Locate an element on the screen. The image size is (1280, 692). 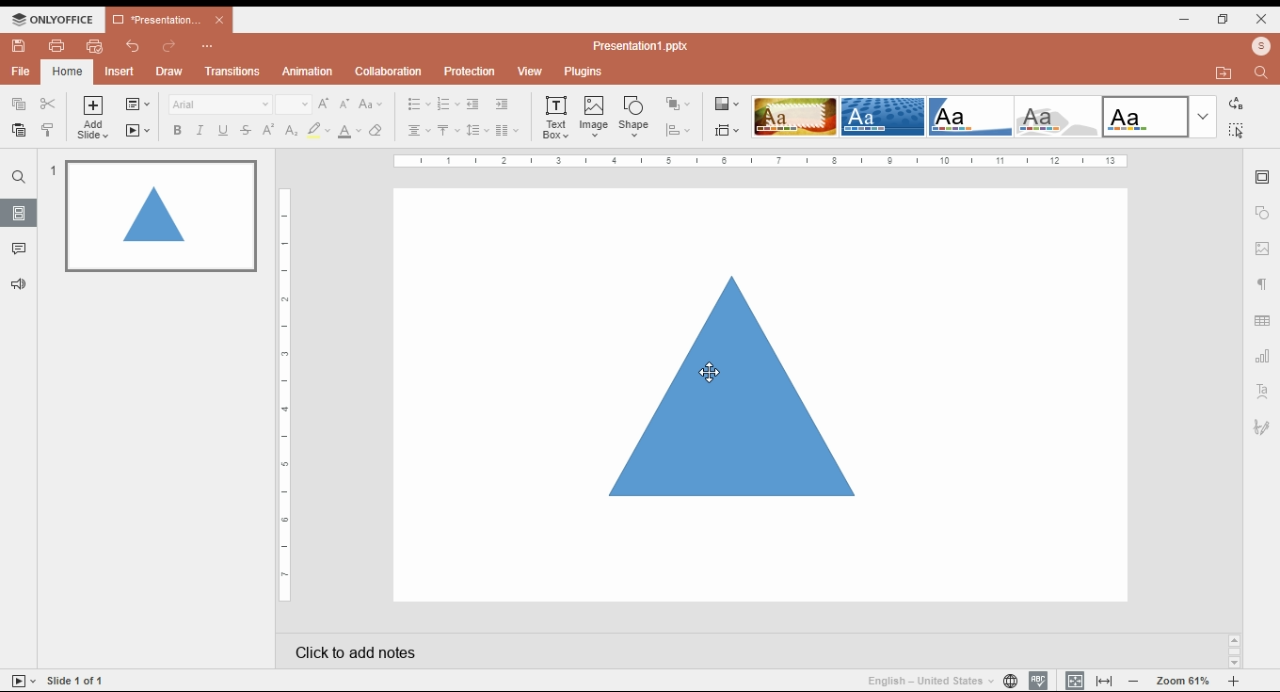
font is located at coordinates (220, 105).